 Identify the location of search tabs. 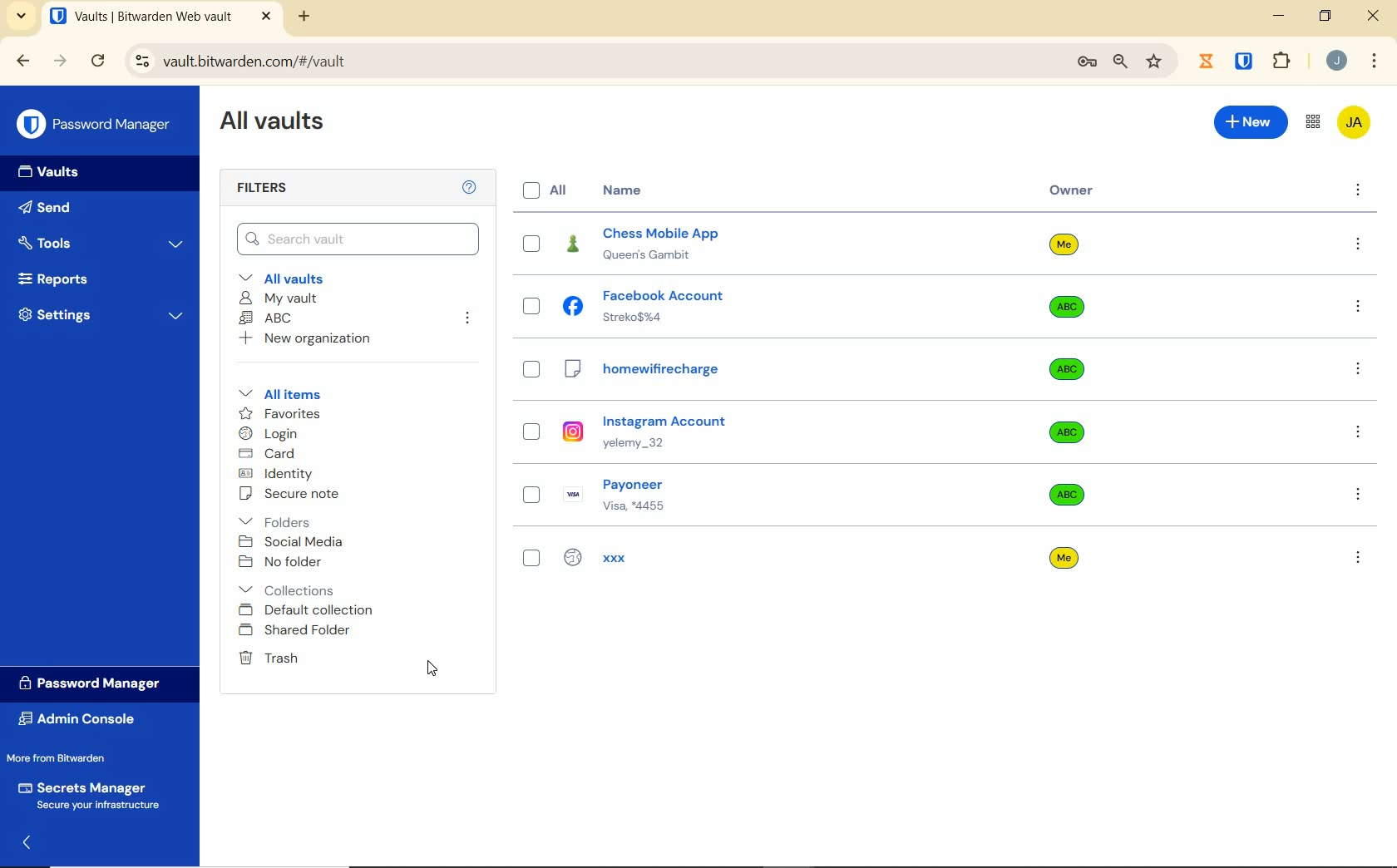
(21, 16).